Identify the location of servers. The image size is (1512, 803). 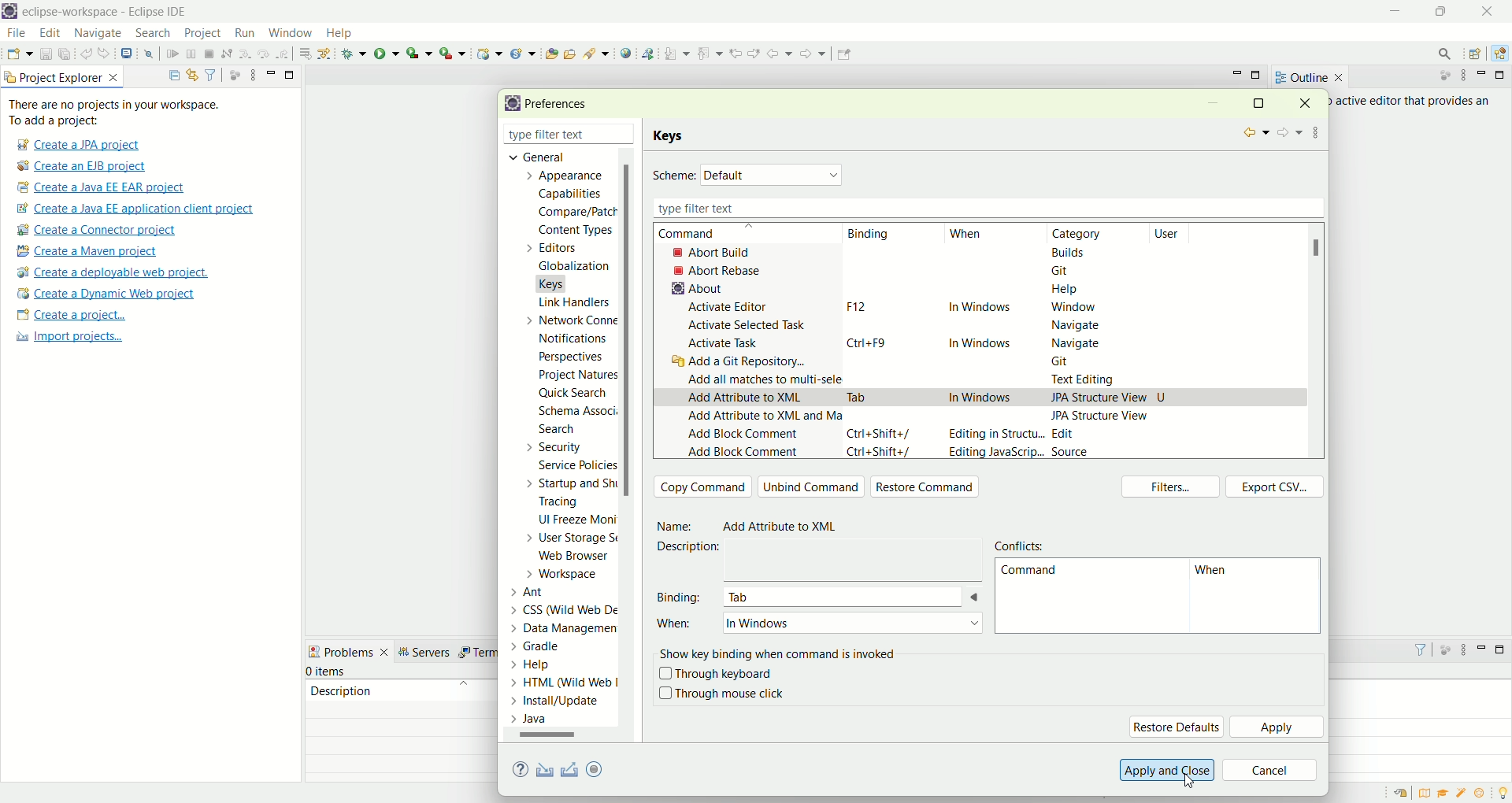
(428, 652).